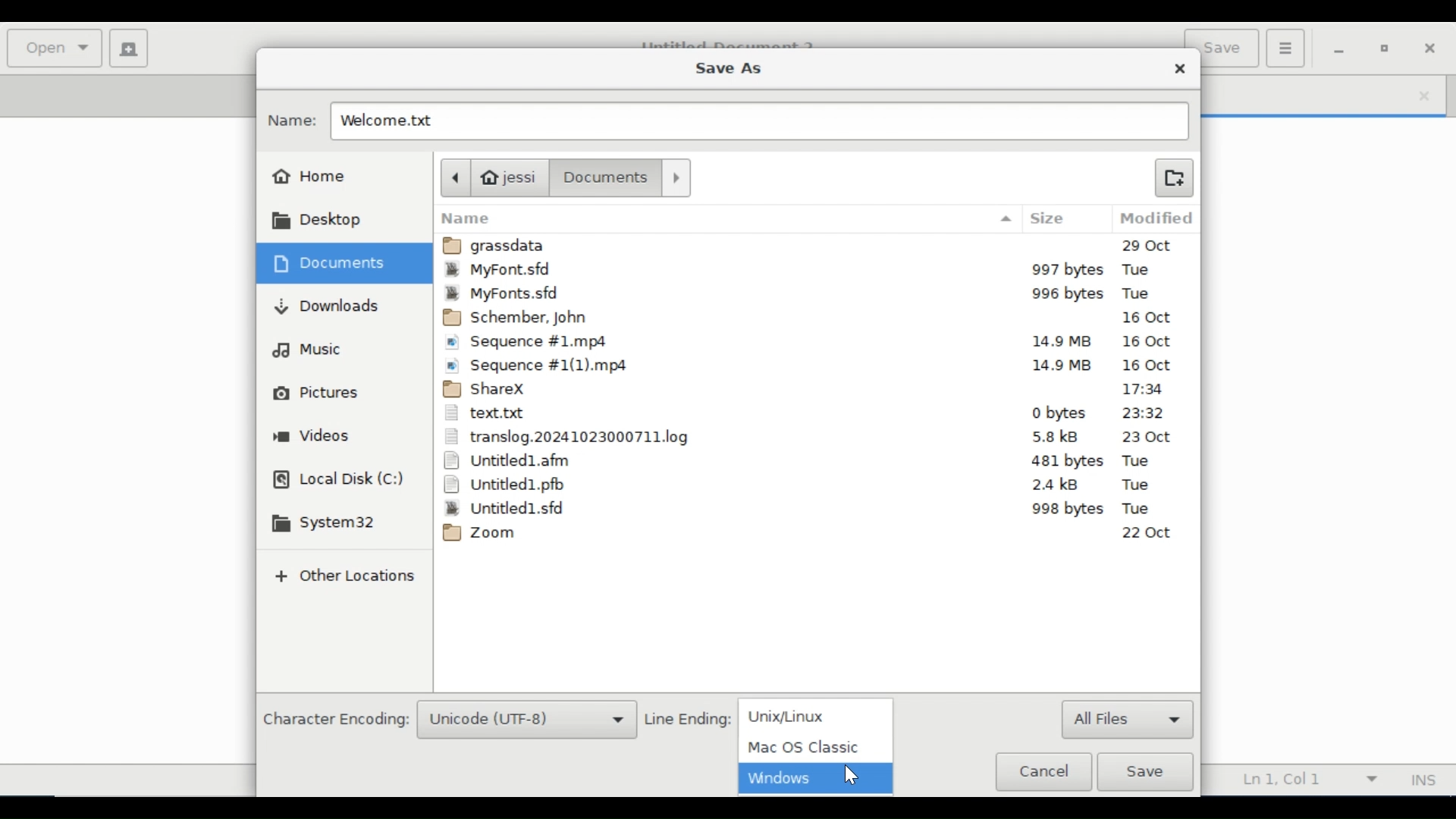  I want to click on Name, so click(292, 121).